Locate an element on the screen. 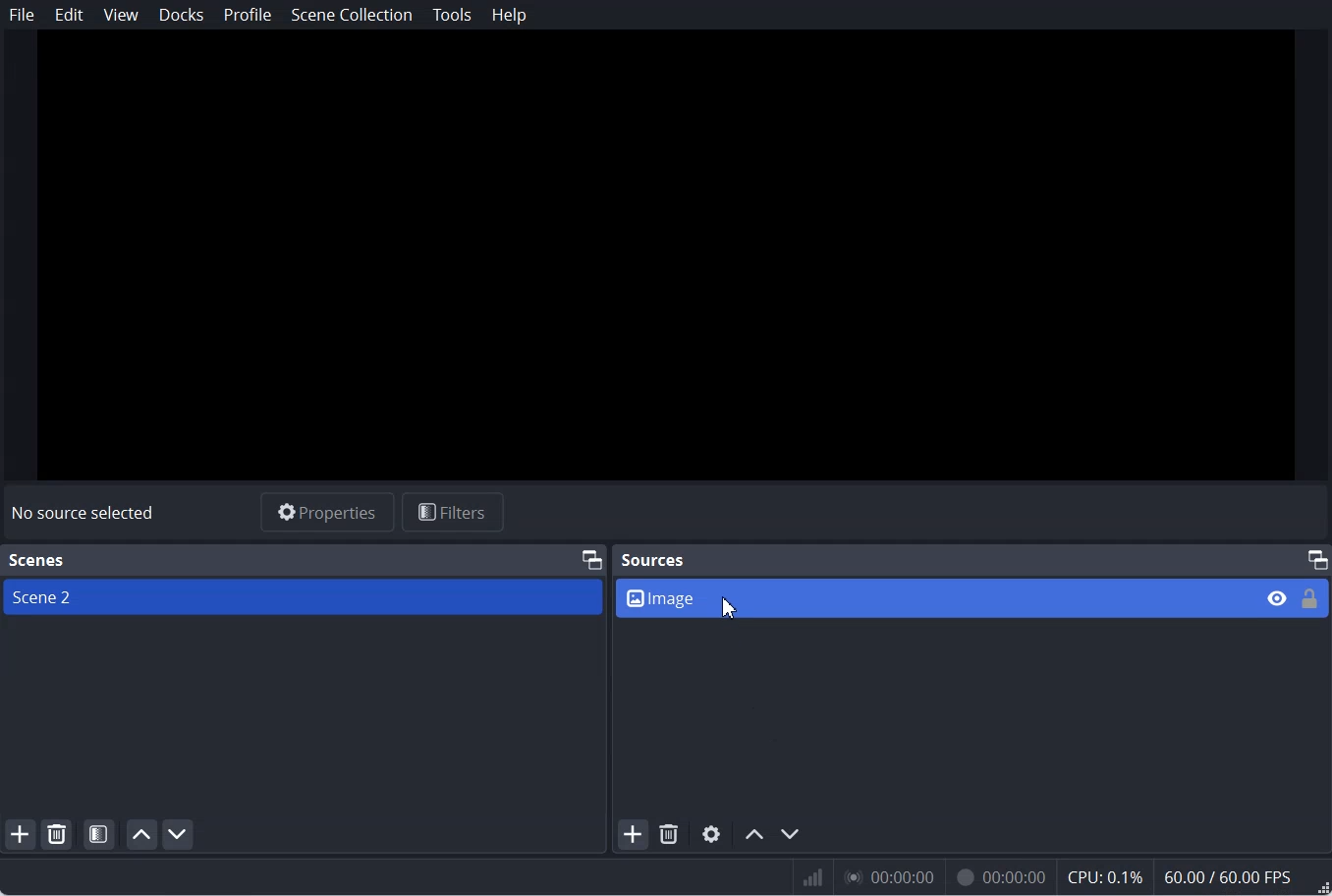 This screenshot has width=1332, height=896. Open Scene Filter is located at coordinates (99, 834).